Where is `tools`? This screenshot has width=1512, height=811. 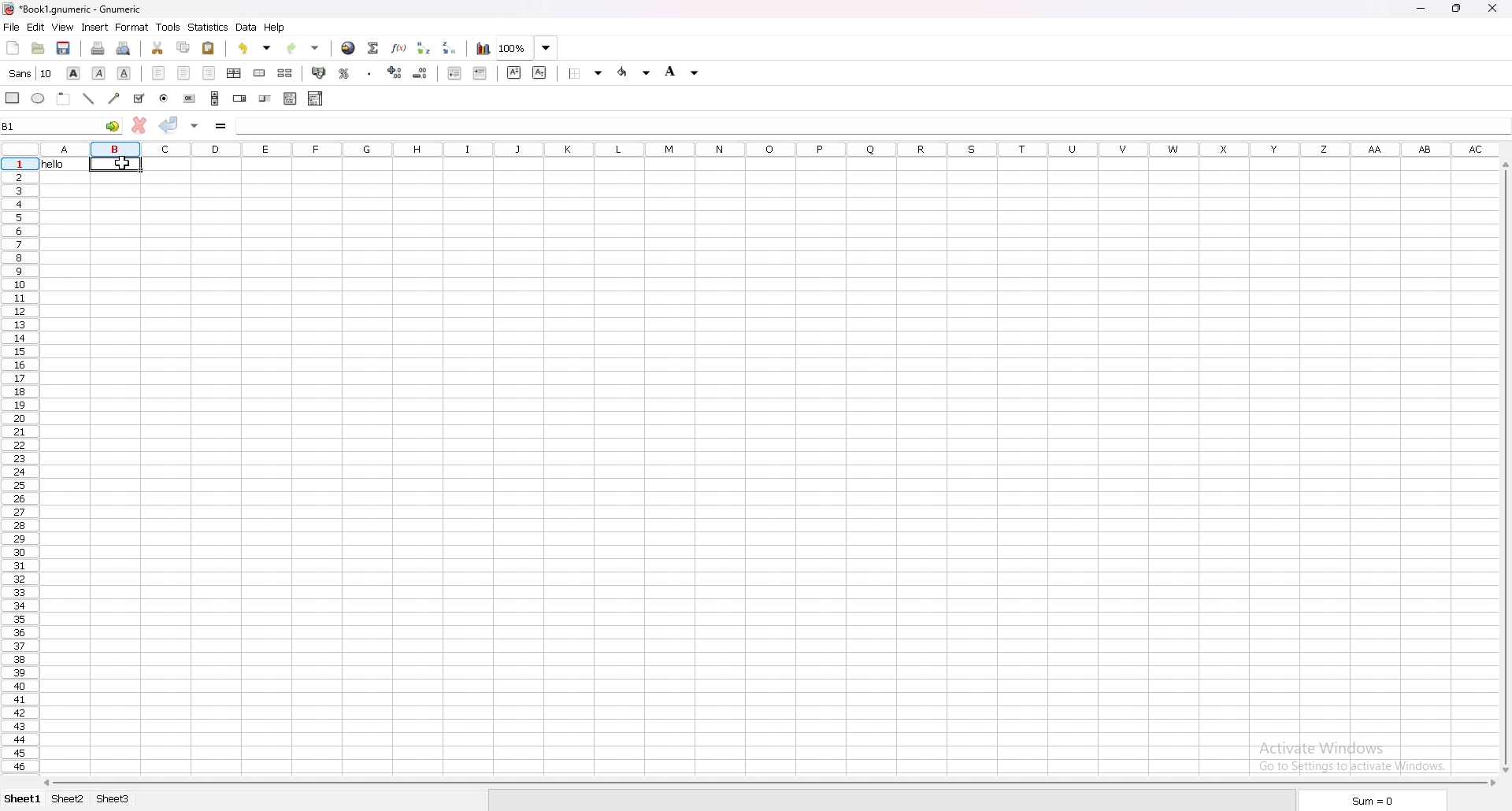 tools is located at coordinates (168, 27).